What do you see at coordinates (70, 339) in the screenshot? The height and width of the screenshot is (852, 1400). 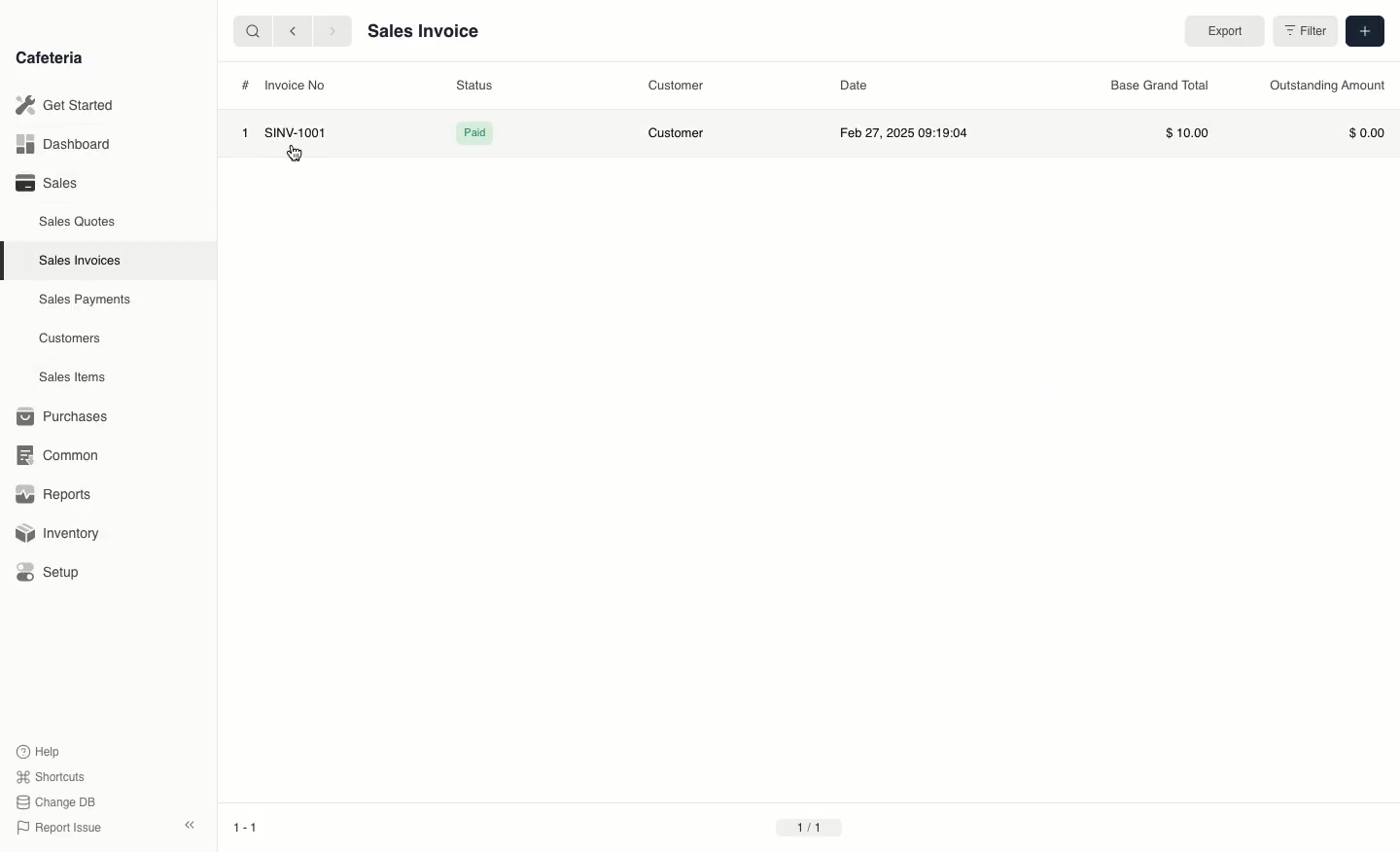 I see `Customers` at bounding box center [70, 339].